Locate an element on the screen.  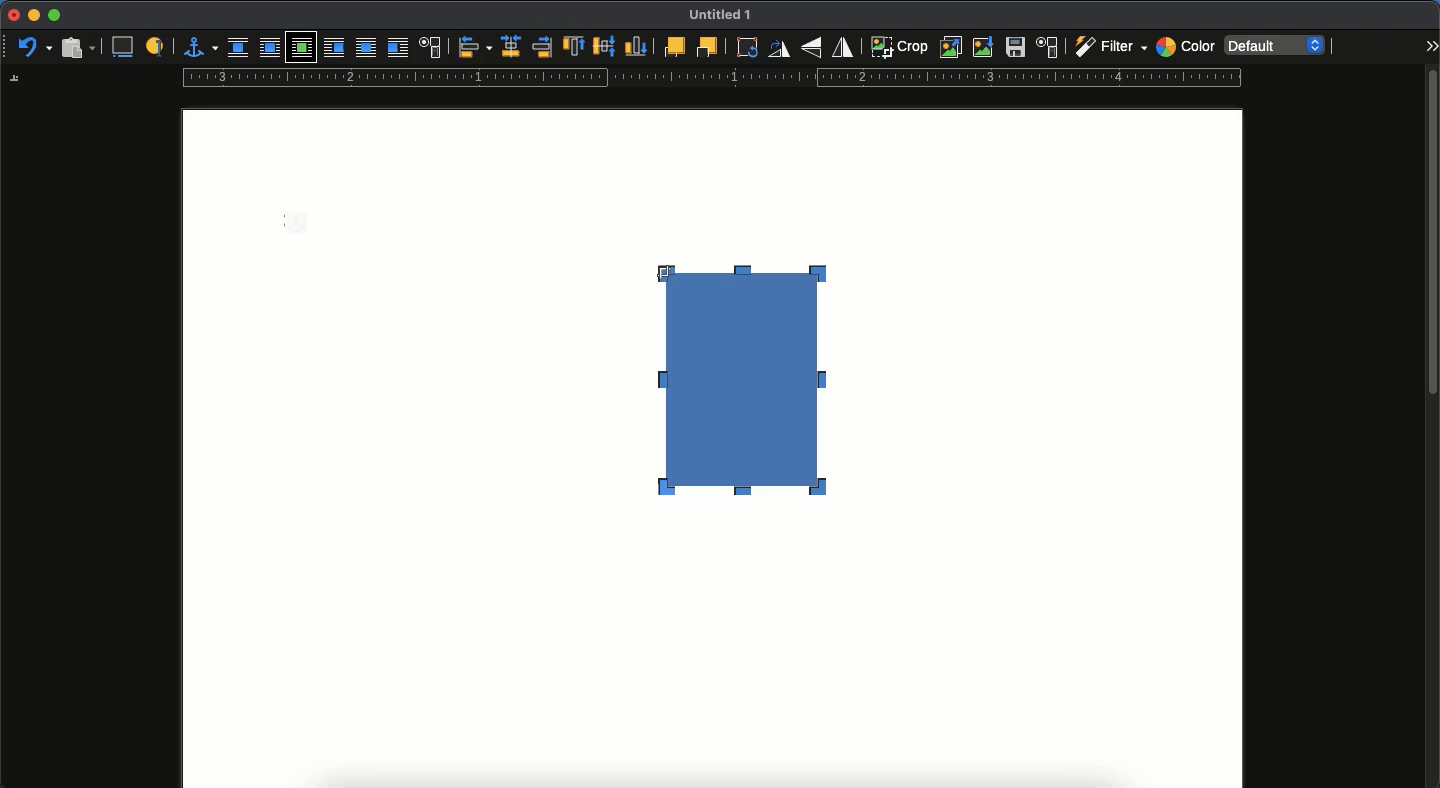
bottom to anchor is located at coordinates (636, 46).